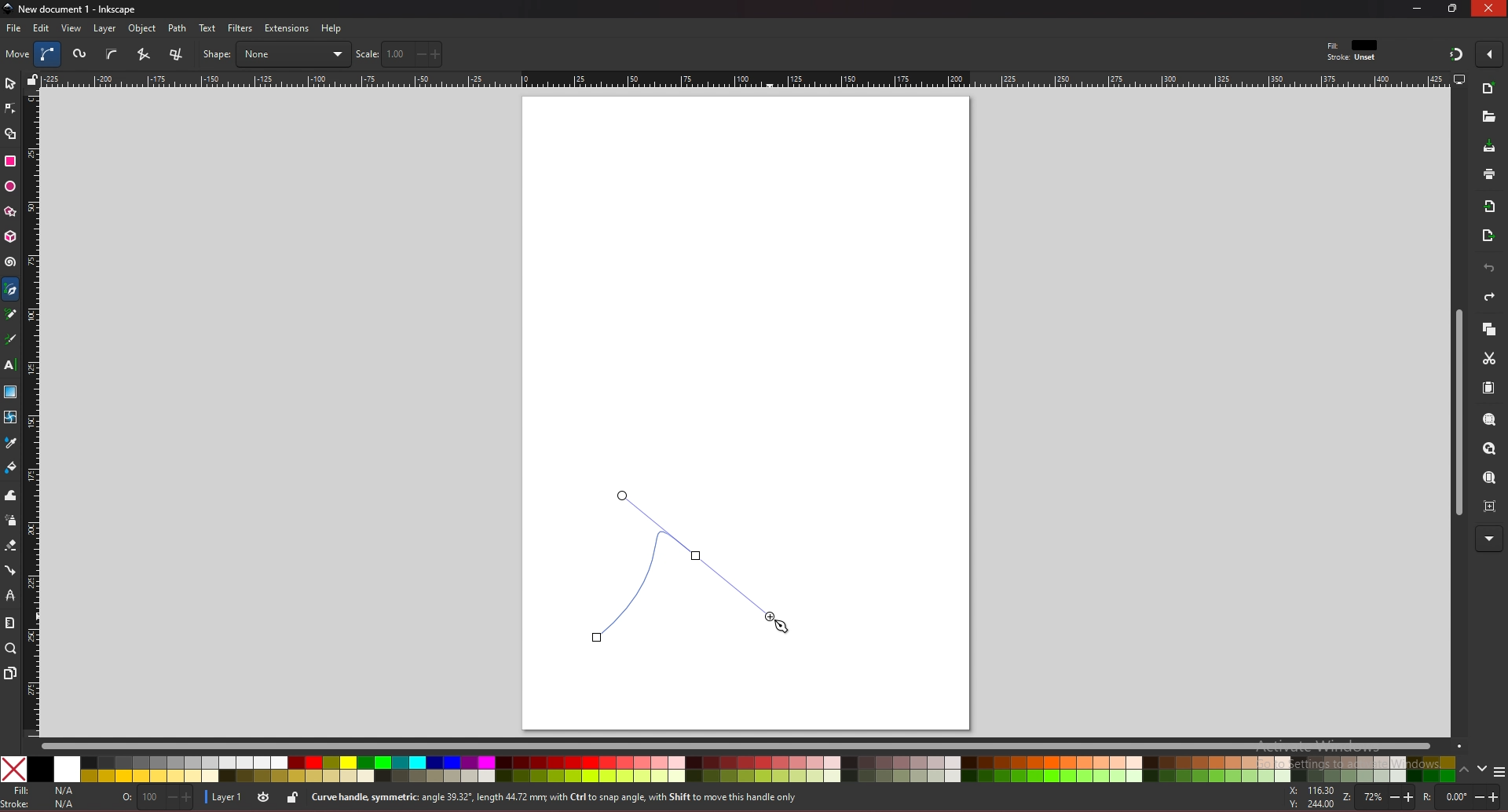  I want to click on horizontal rule, so click(745, 79).